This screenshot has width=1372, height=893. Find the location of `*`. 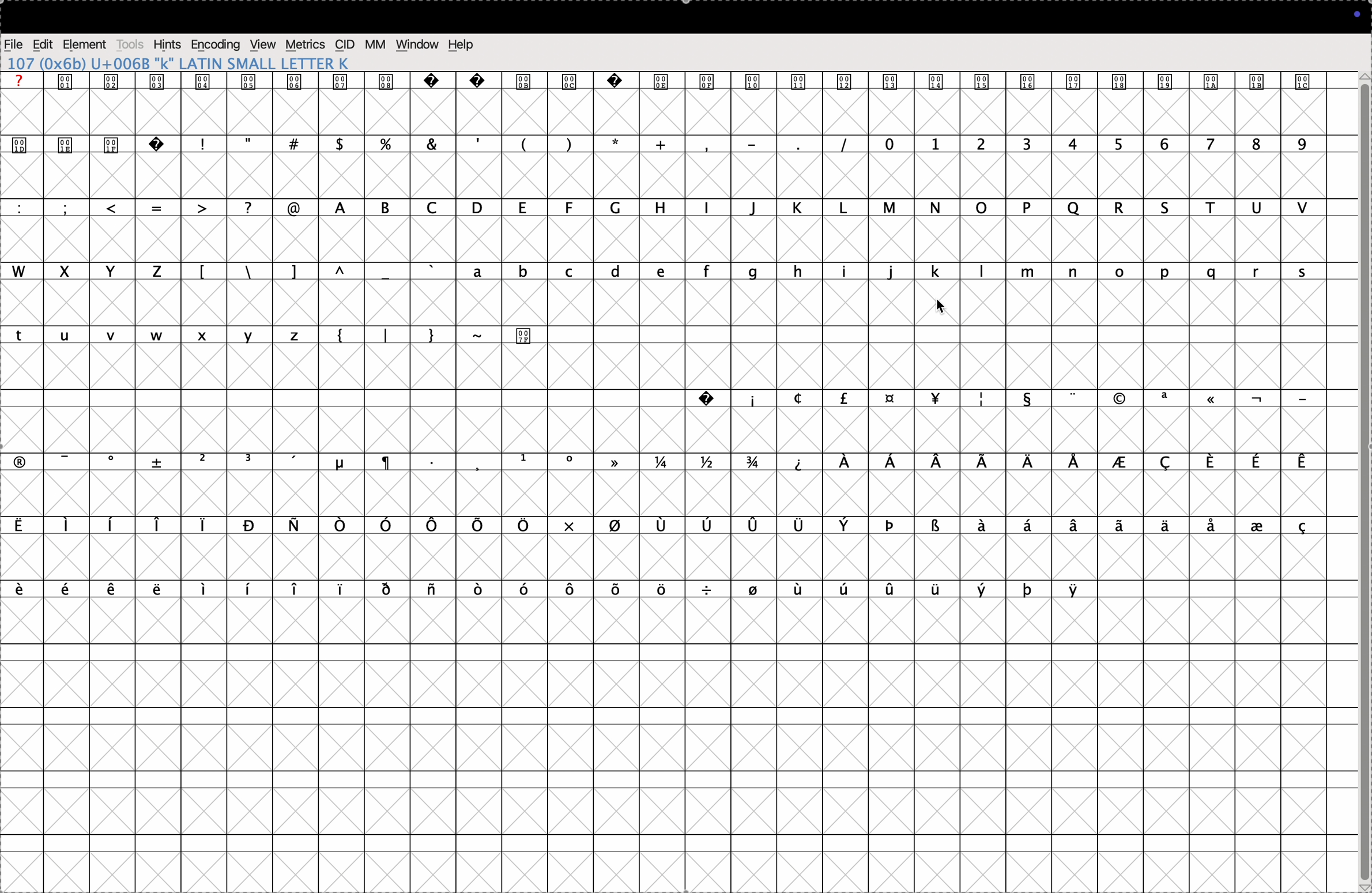

* is located at coordinates (613, 142).